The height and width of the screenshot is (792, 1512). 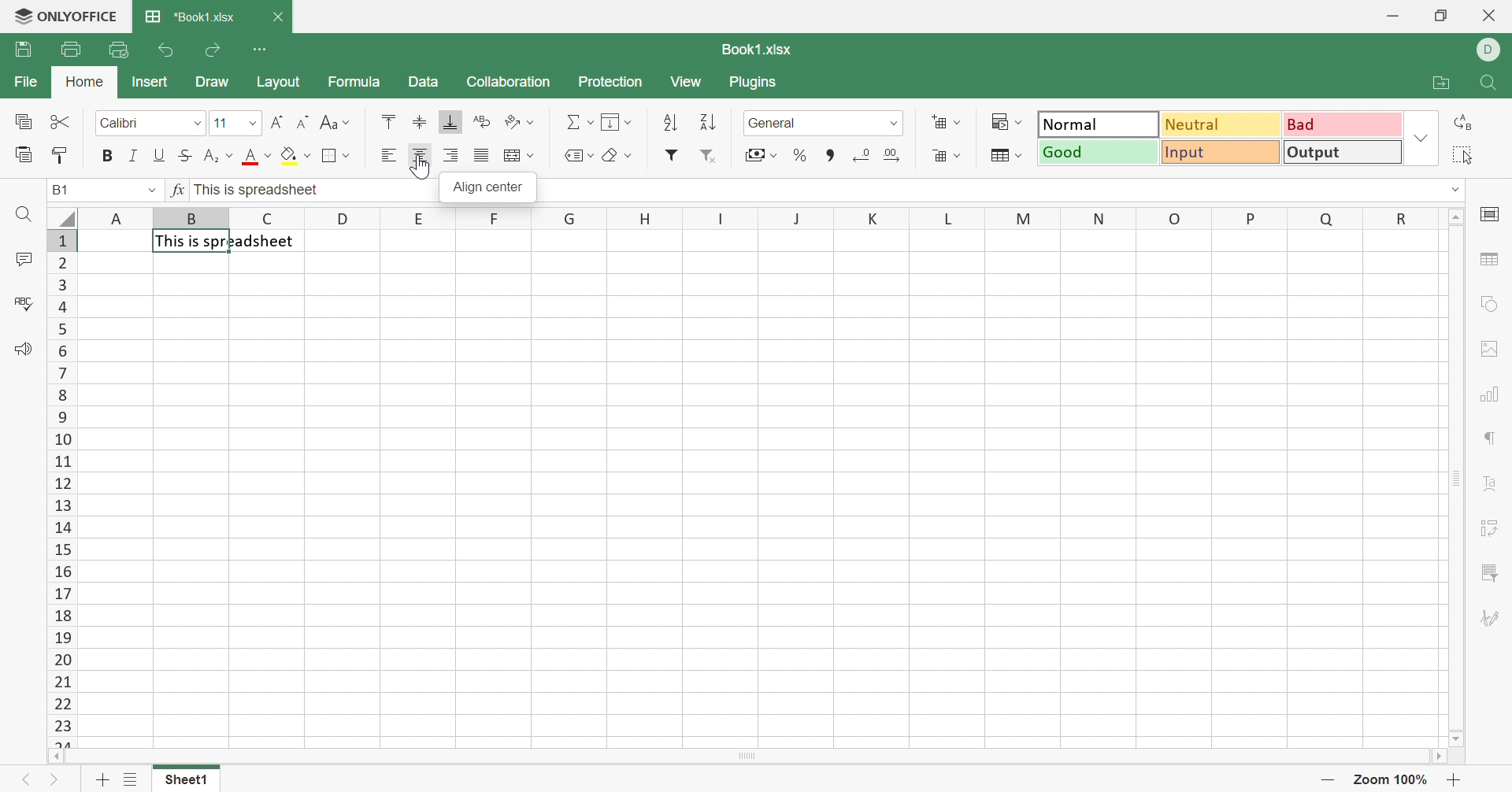 I want to click on Column Names, so click(x=746, y=218).